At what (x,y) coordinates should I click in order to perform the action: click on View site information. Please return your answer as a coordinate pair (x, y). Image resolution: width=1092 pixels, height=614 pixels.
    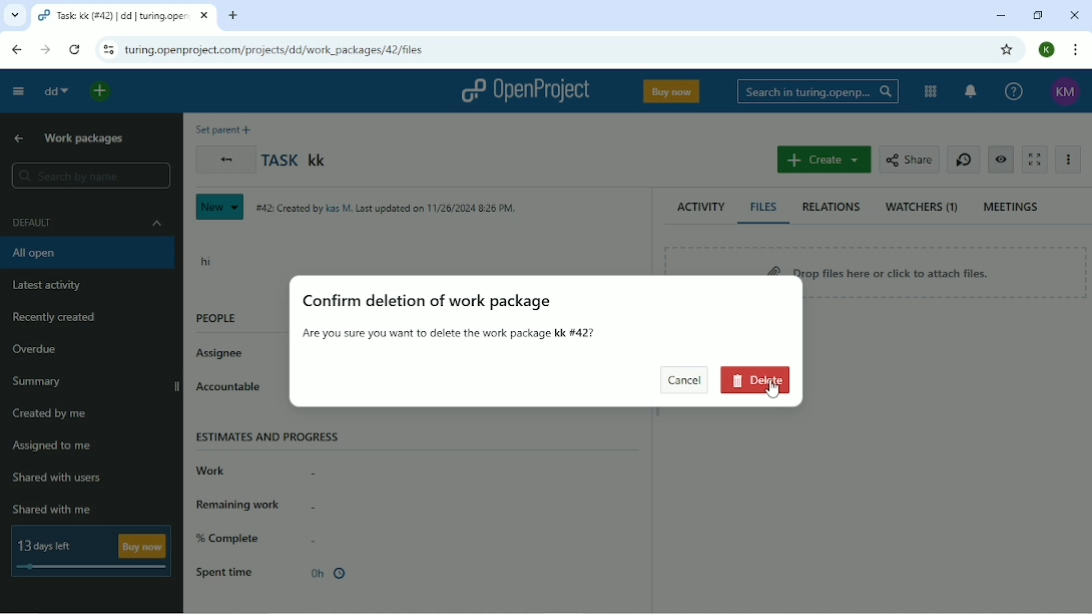
    Looking at the image, I should click on (107, 51).